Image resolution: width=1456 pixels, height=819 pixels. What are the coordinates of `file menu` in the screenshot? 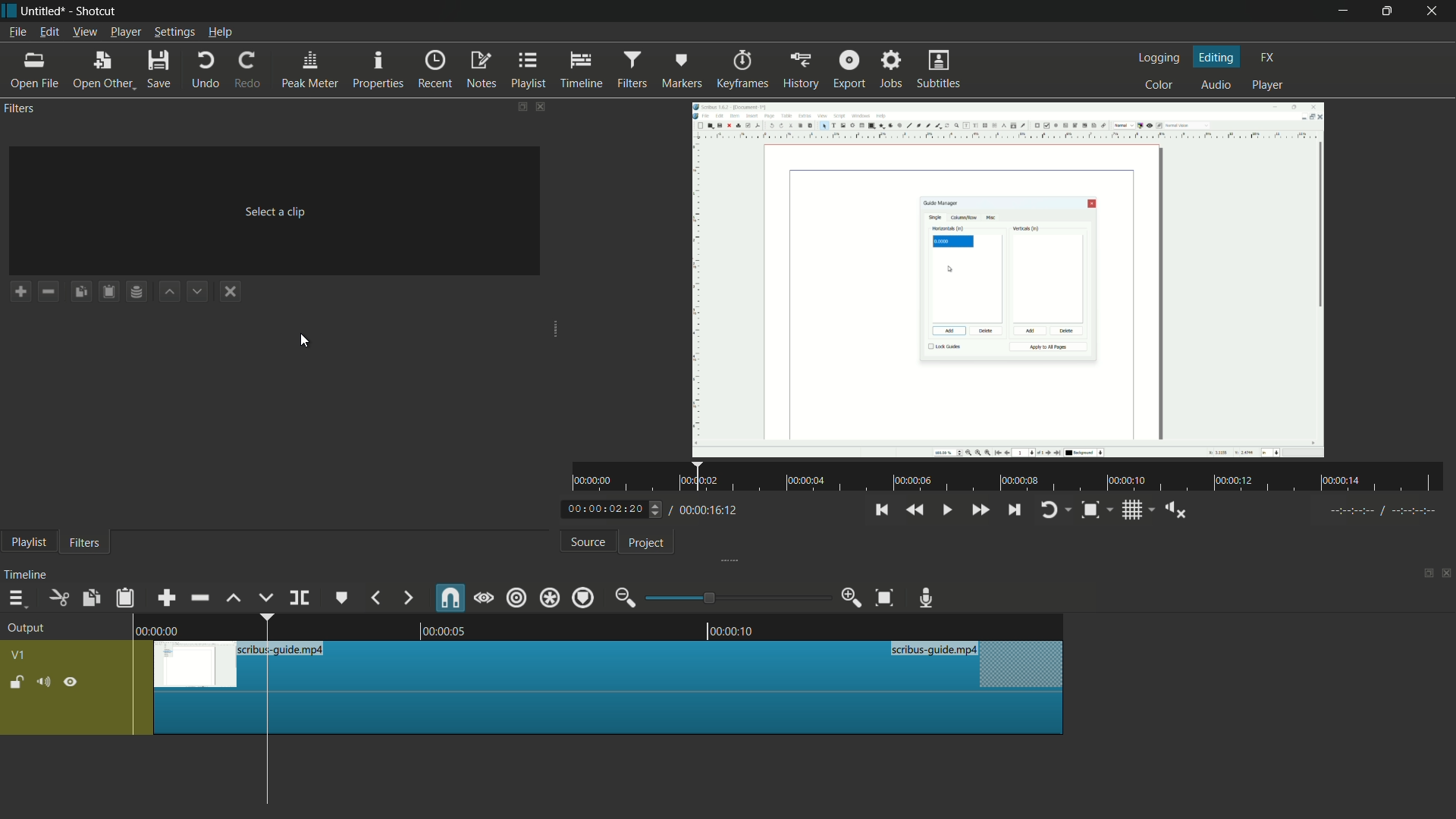 It's located at (17, 32).